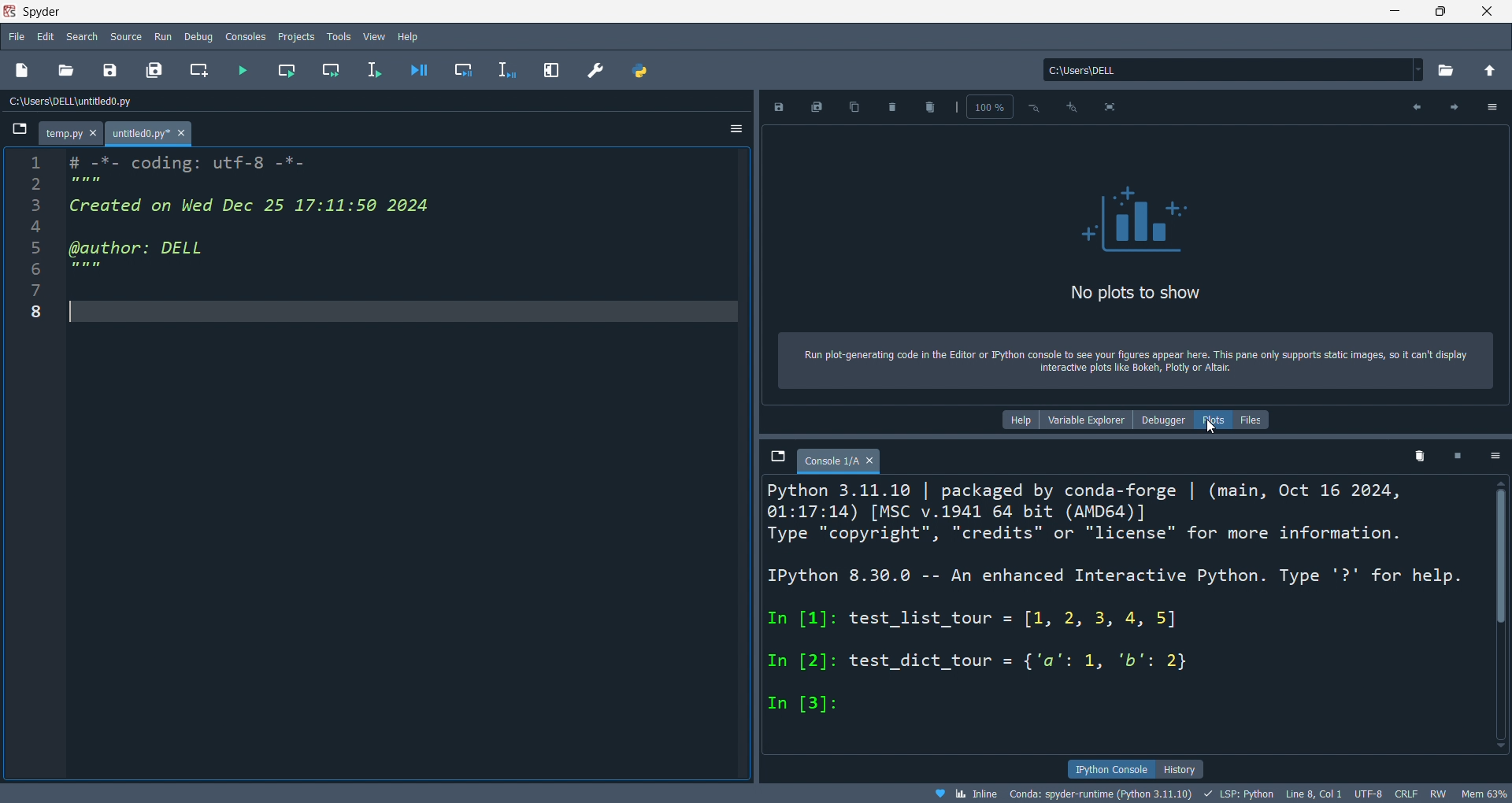 The width and height of the screenshot is (1512, 803). What do you see at coordinates (1137, 249) in the screenshot?
I see `no plots to show` at bounding box center [1137, 249].